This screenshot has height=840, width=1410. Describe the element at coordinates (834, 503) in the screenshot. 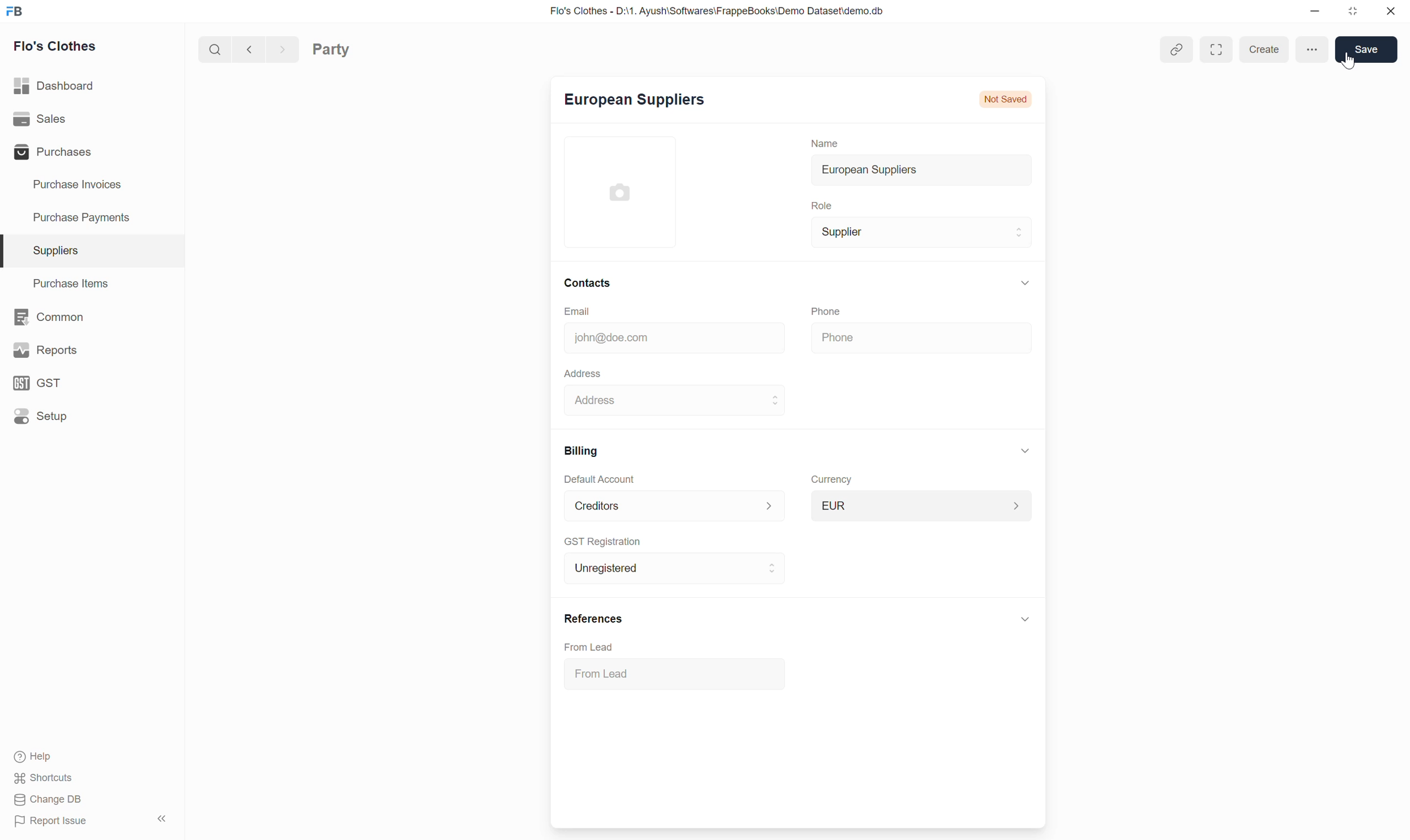

I see `usD` at that location.